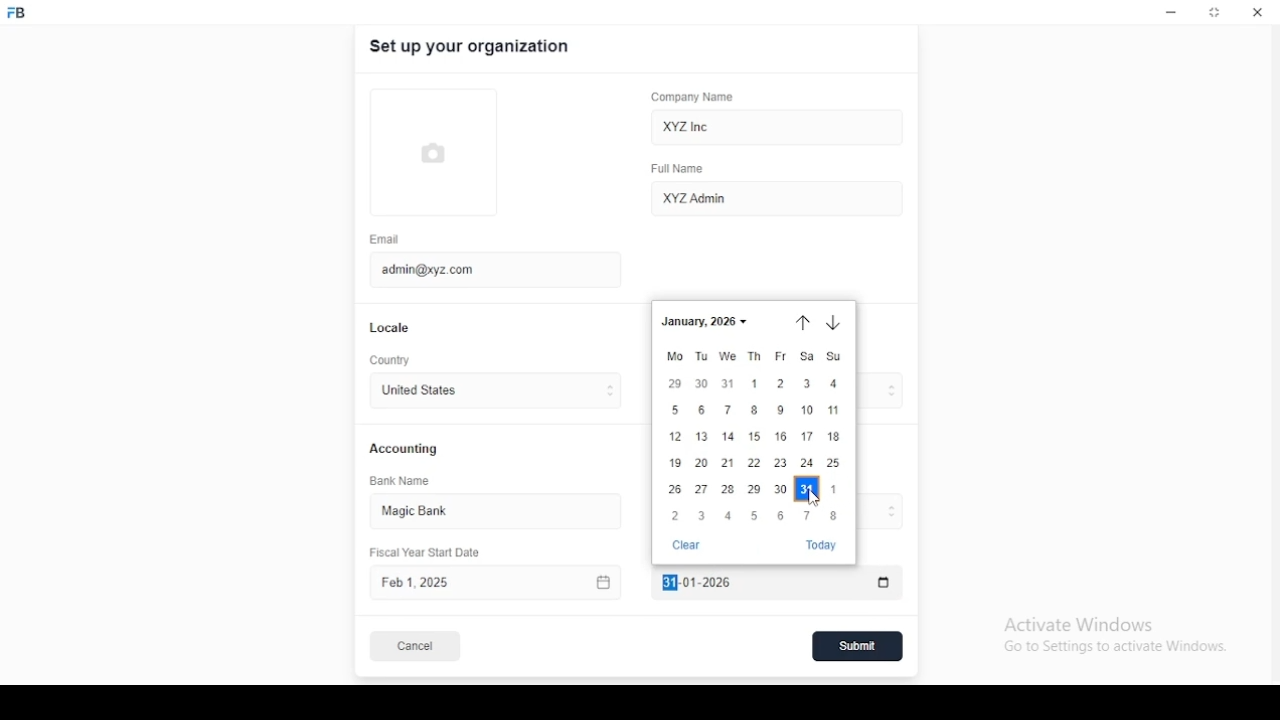 This screenshot has width=1280, height=720. I want to click on locale, so click(391, 328).